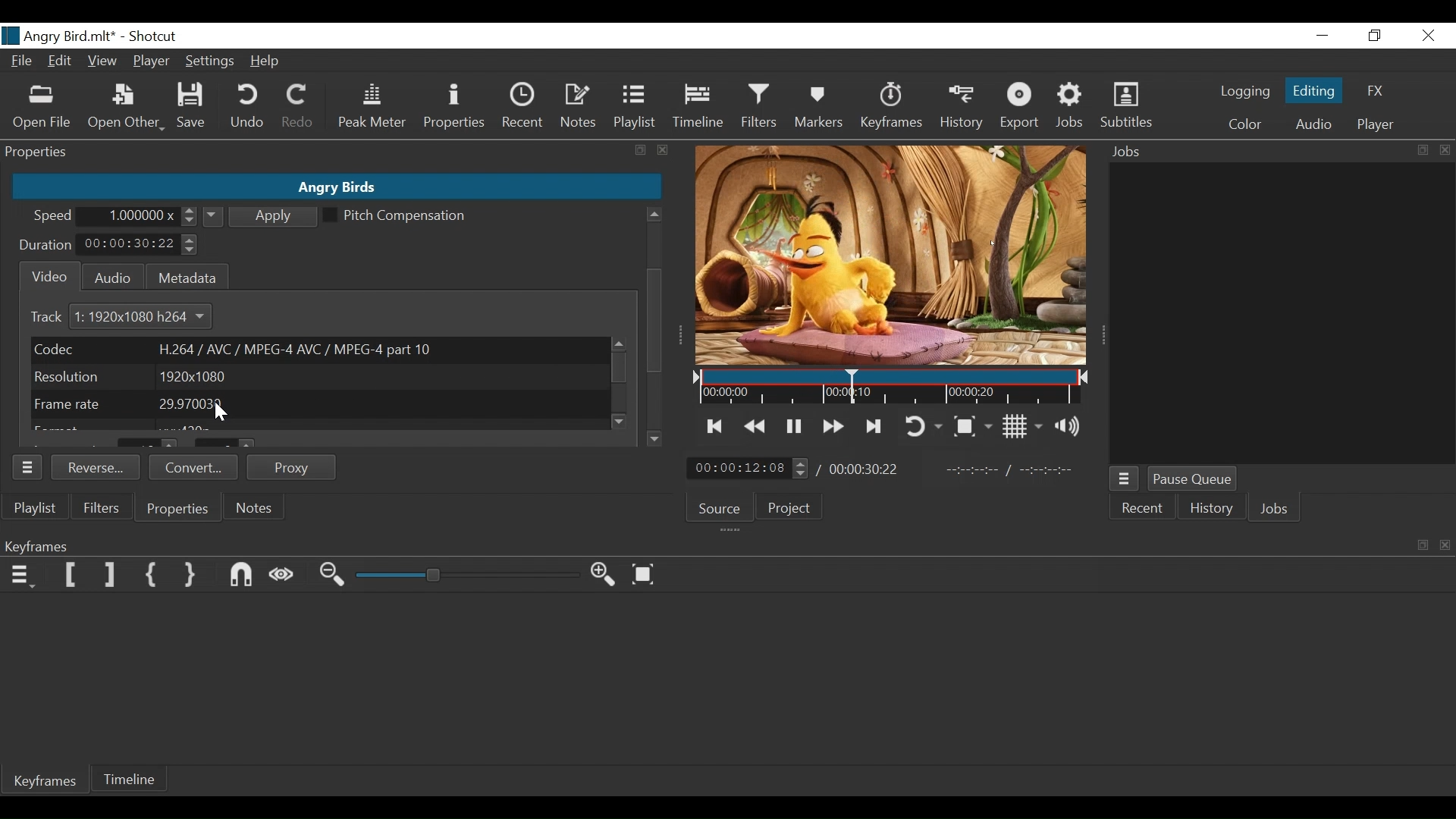 The width and height of the screenshot is (1456, 819). What do you see at coordinates (156, 37) in the screenshot?
I see `Shotcut` at bounding box center [156, 37].